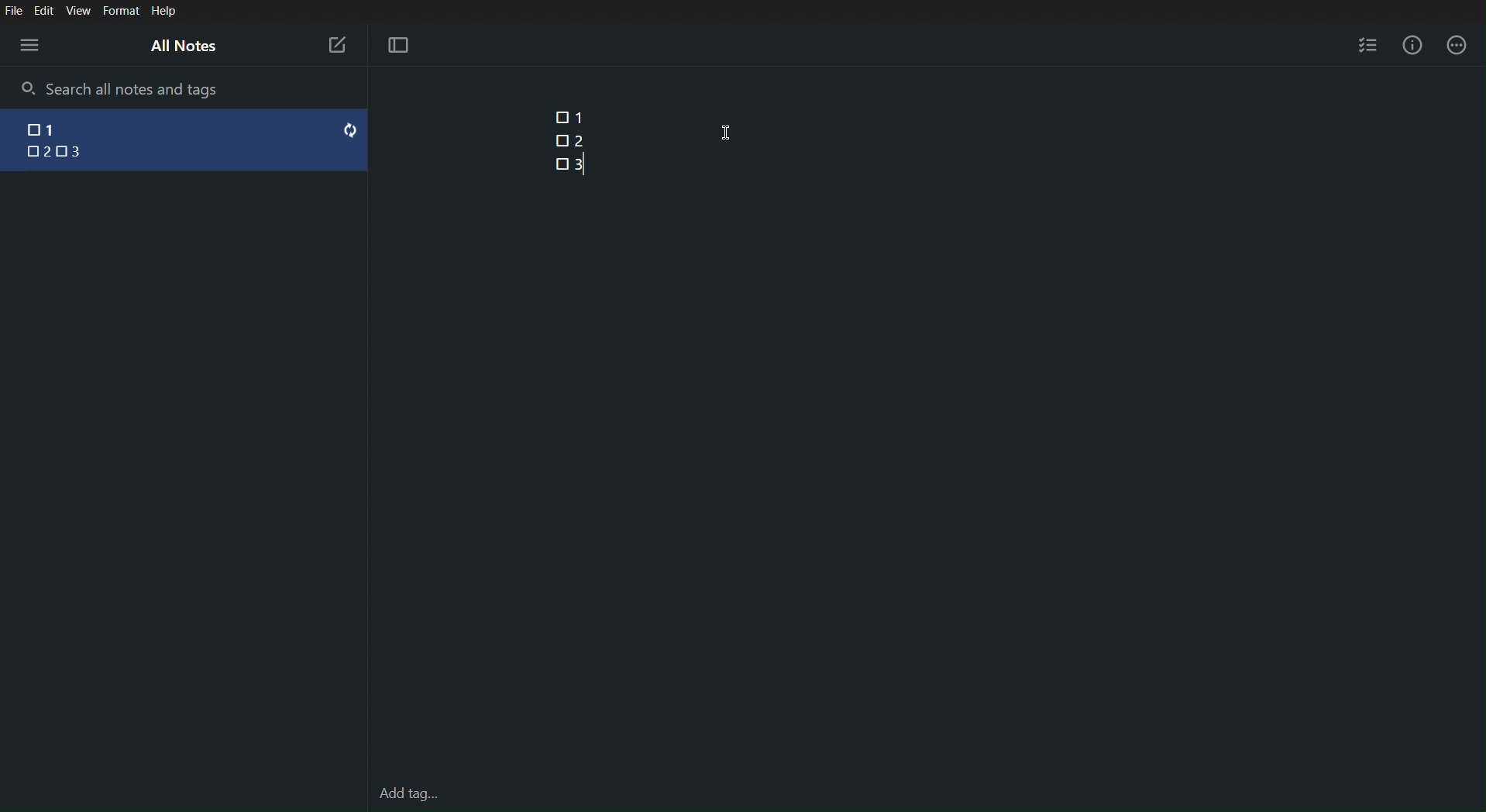  Describe the element at coordinates (728, 132) in the screenshot. I see `Cursor` at that location.